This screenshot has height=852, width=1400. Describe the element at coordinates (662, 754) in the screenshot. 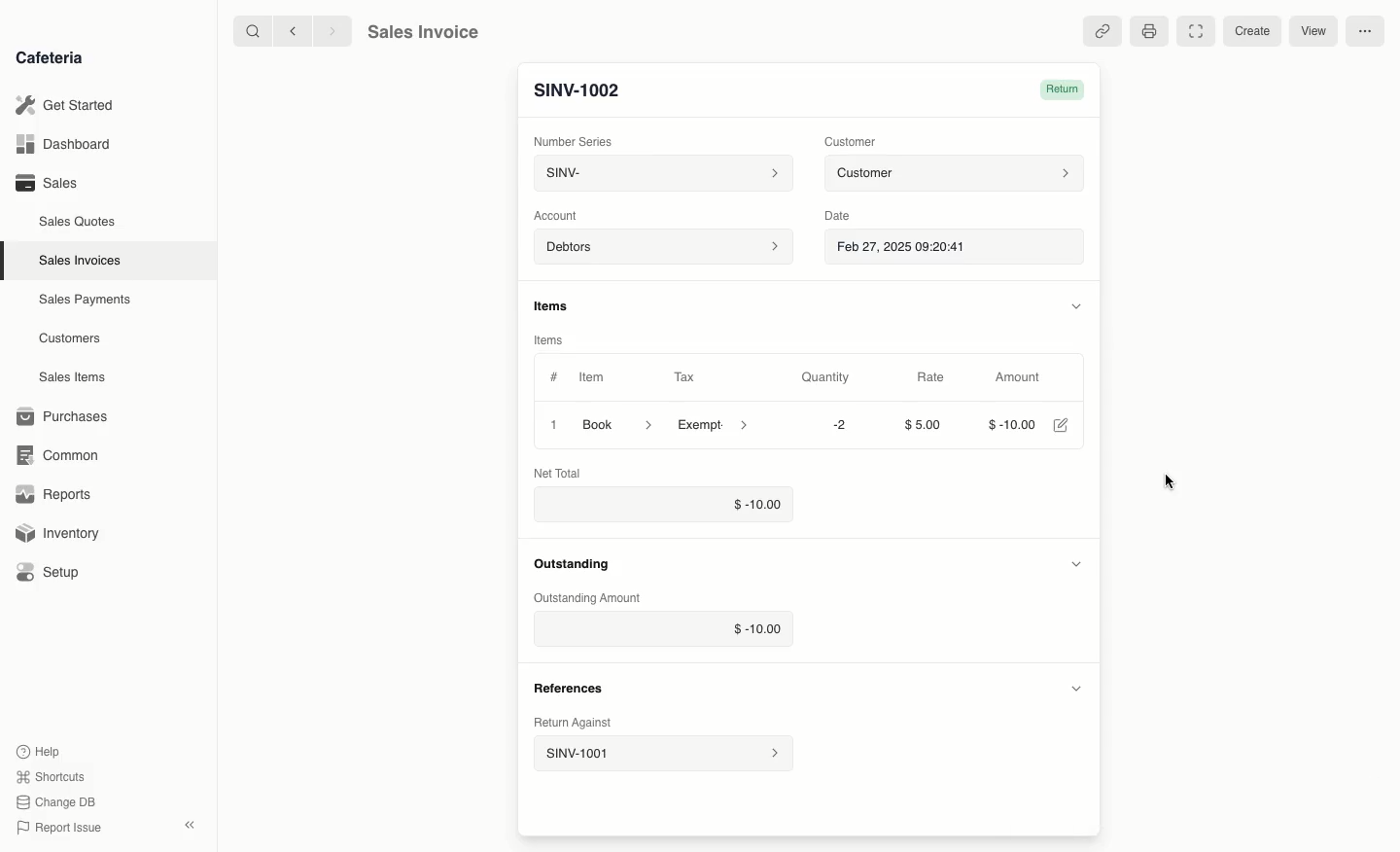

I see `SINV-1001` at that location.